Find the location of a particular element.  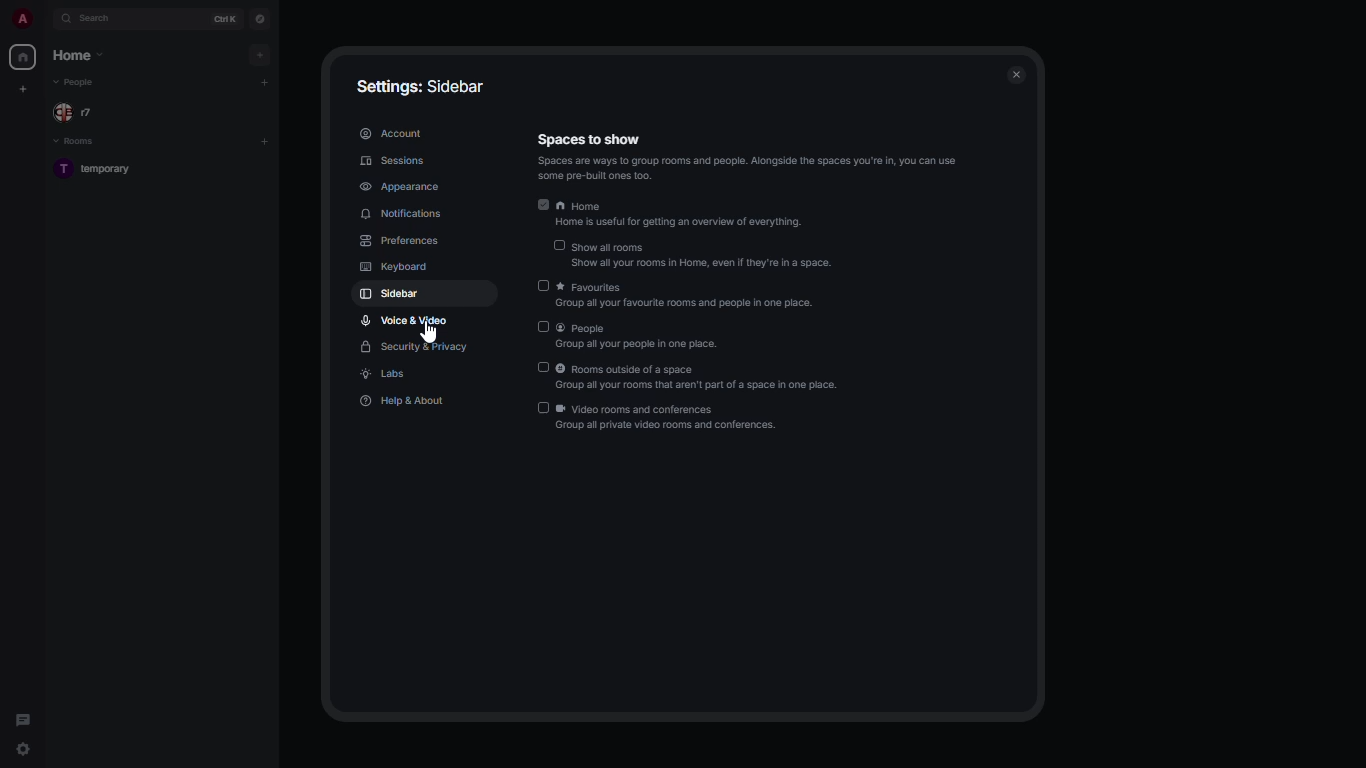

sidebar is located at coordinates (391, 296).